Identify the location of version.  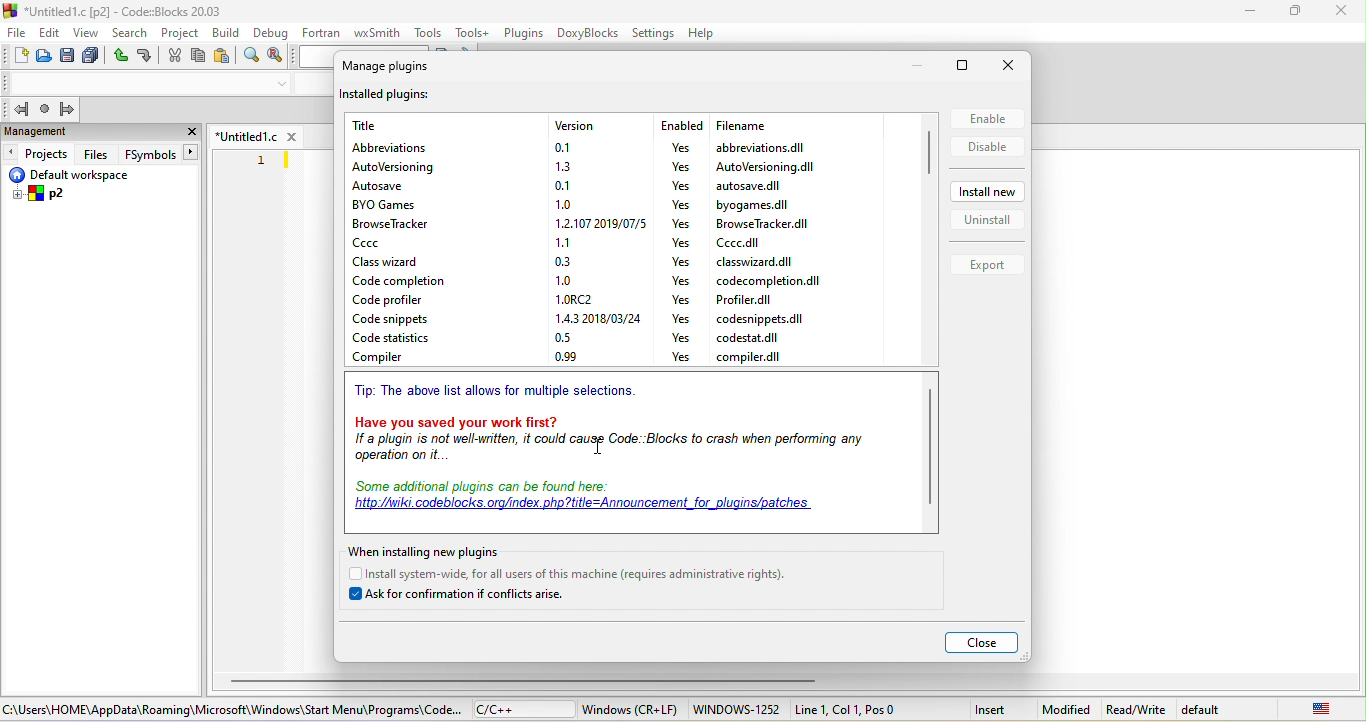
(596, 125).